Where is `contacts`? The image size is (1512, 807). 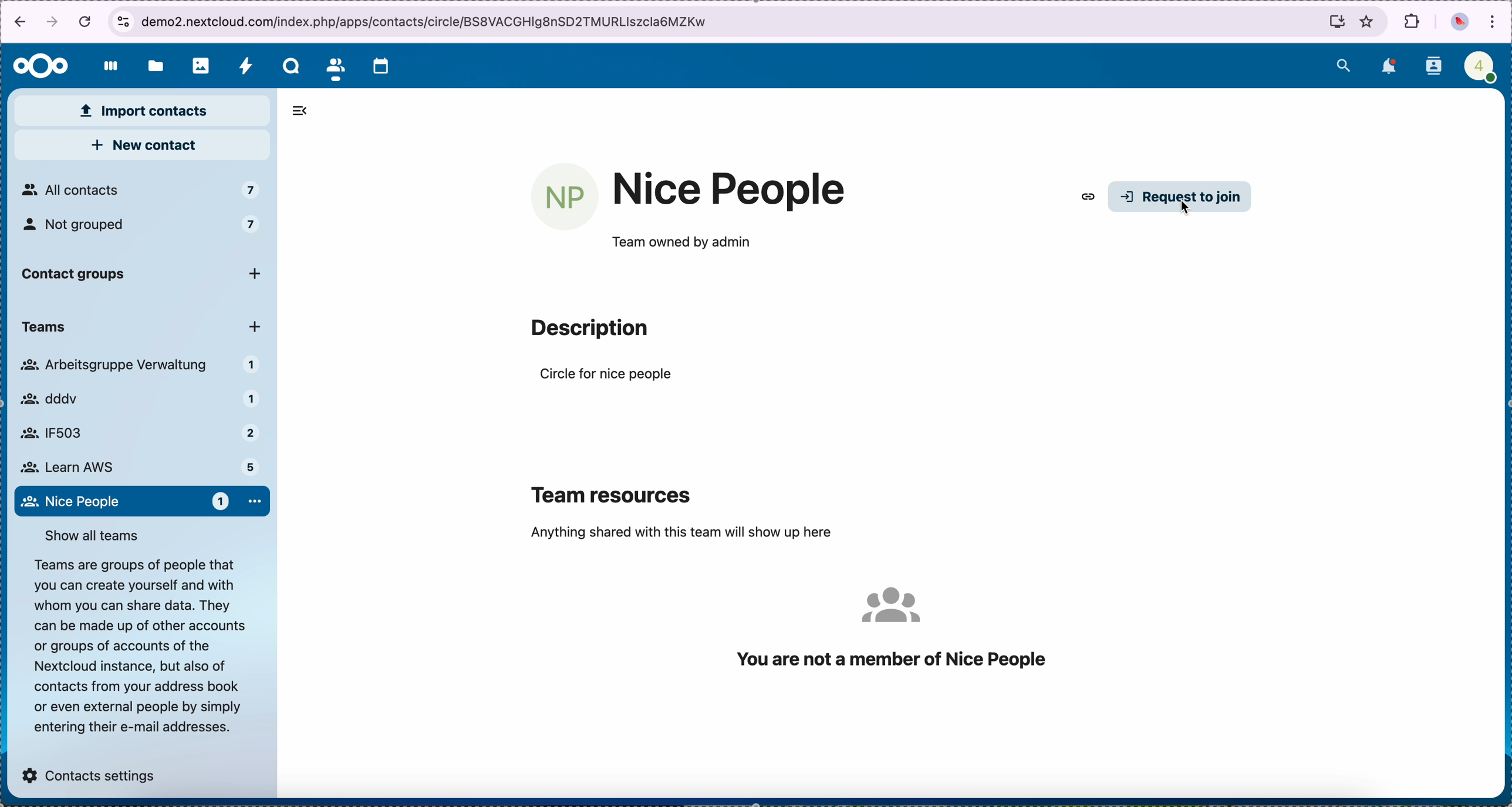 contacts is located at coordinates (1433, 66).